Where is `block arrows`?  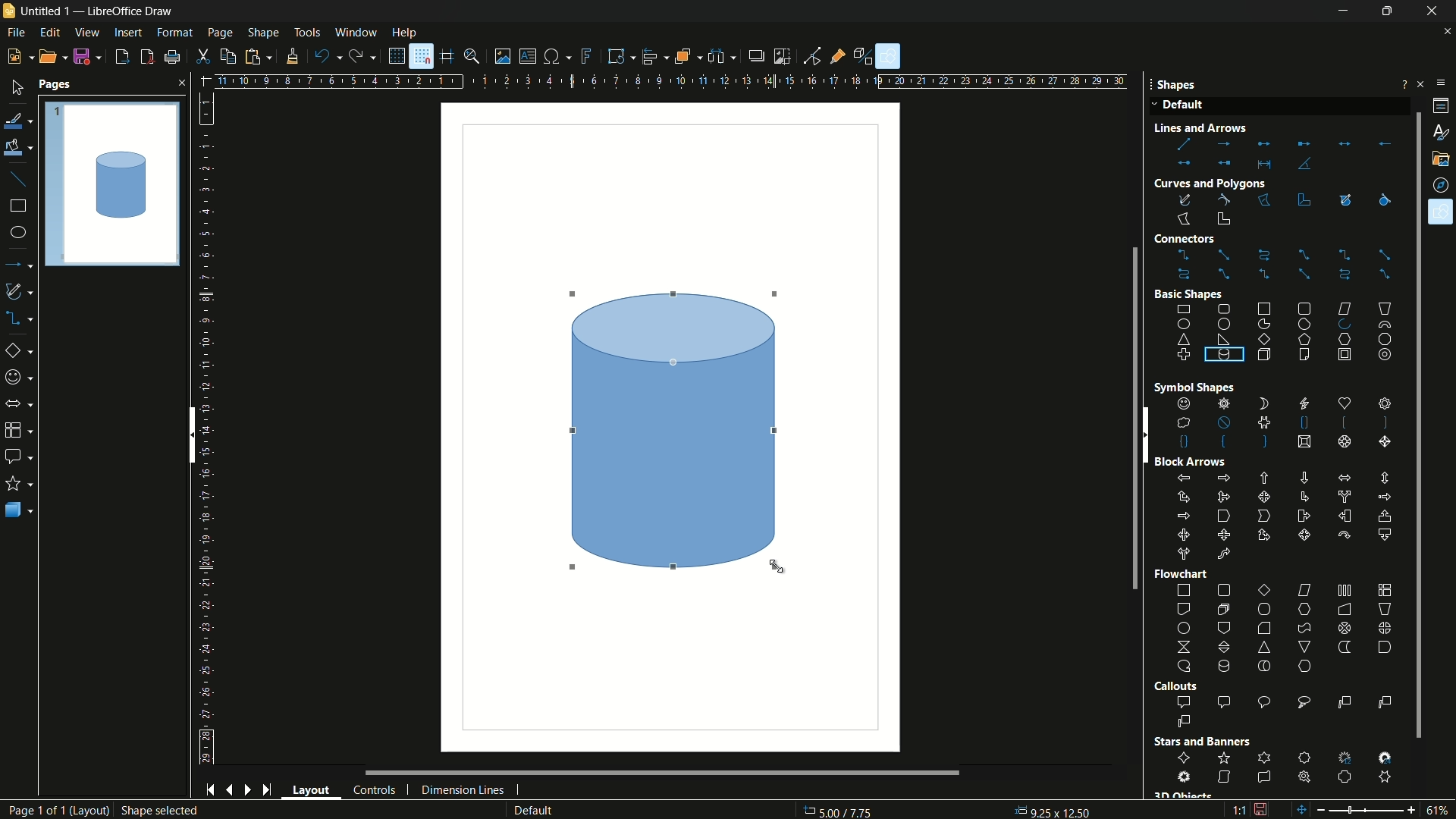 block arrows is located at coordinates (1284, 518).